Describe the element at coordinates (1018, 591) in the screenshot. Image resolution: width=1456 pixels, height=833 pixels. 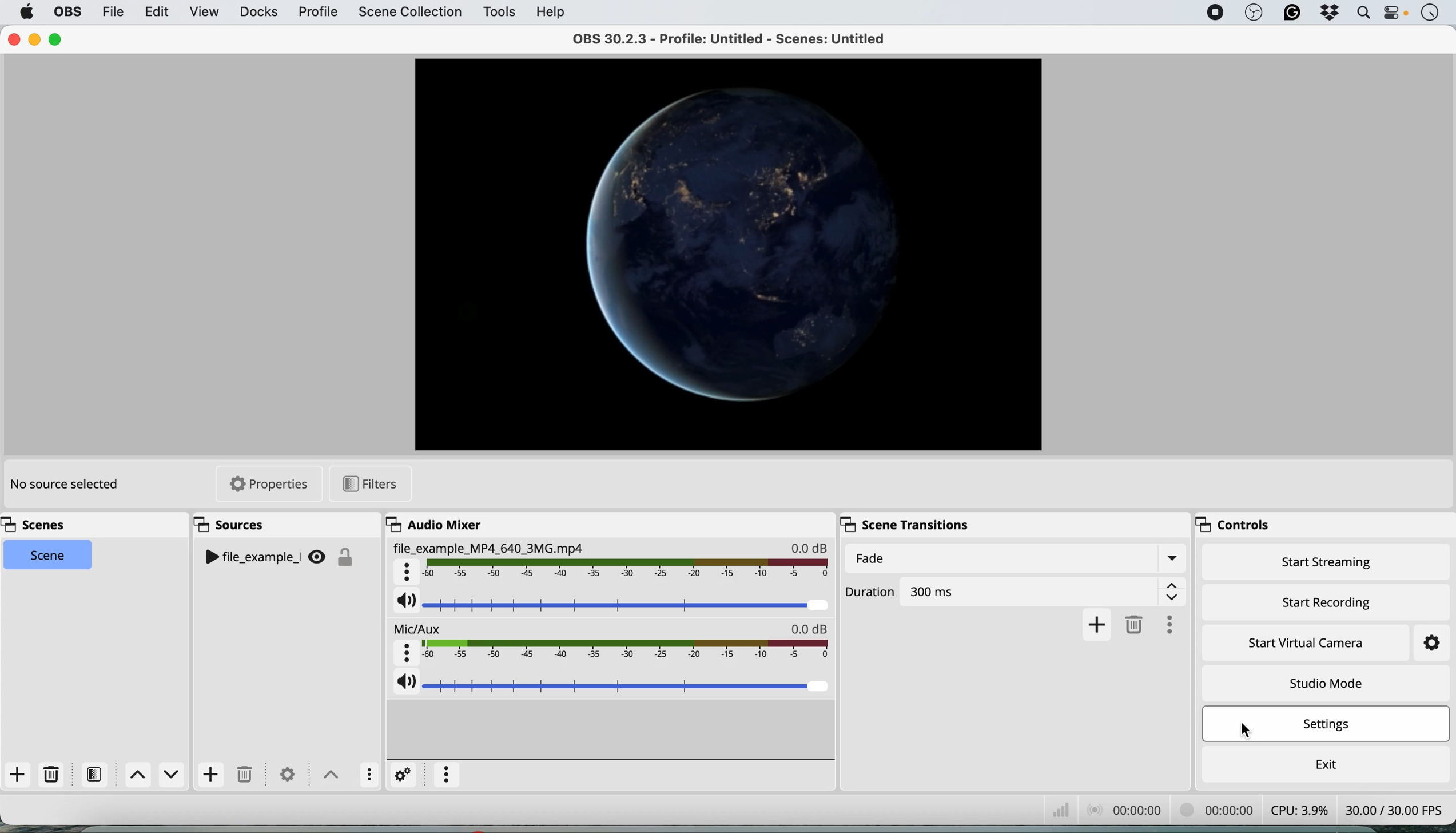
I see `transition duration` at that location.